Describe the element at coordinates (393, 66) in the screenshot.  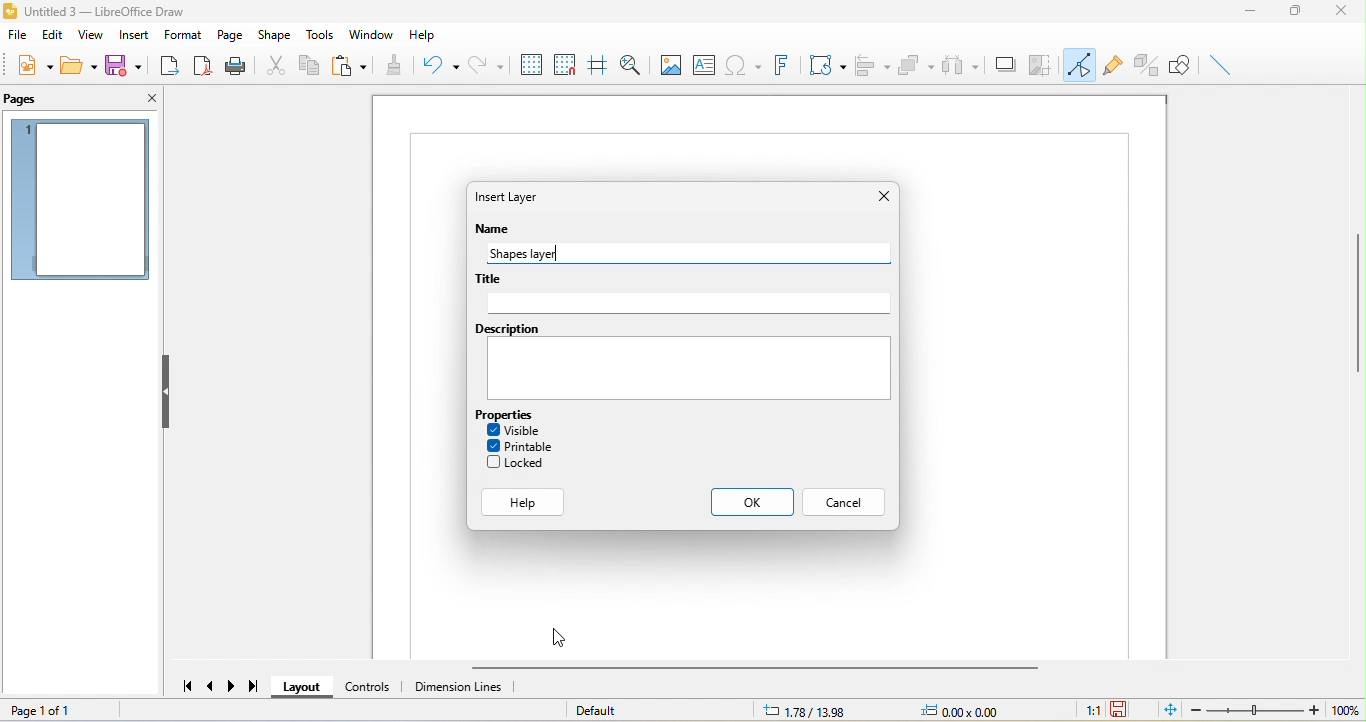
I see `clone formatting` at that location.